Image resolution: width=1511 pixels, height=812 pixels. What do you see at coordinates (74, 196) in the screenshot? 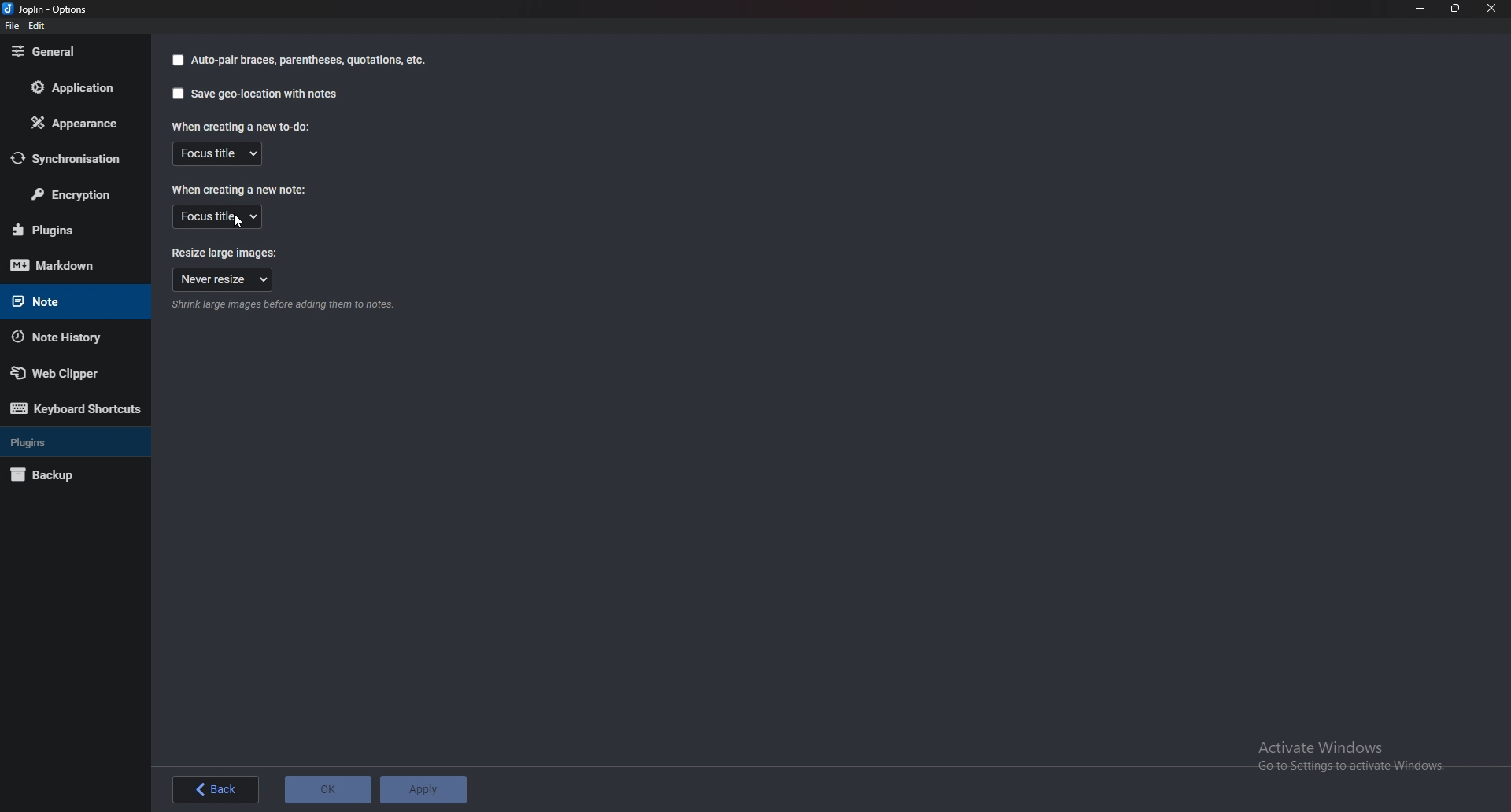
I see `Encryption` at bounding box center [74, 196].